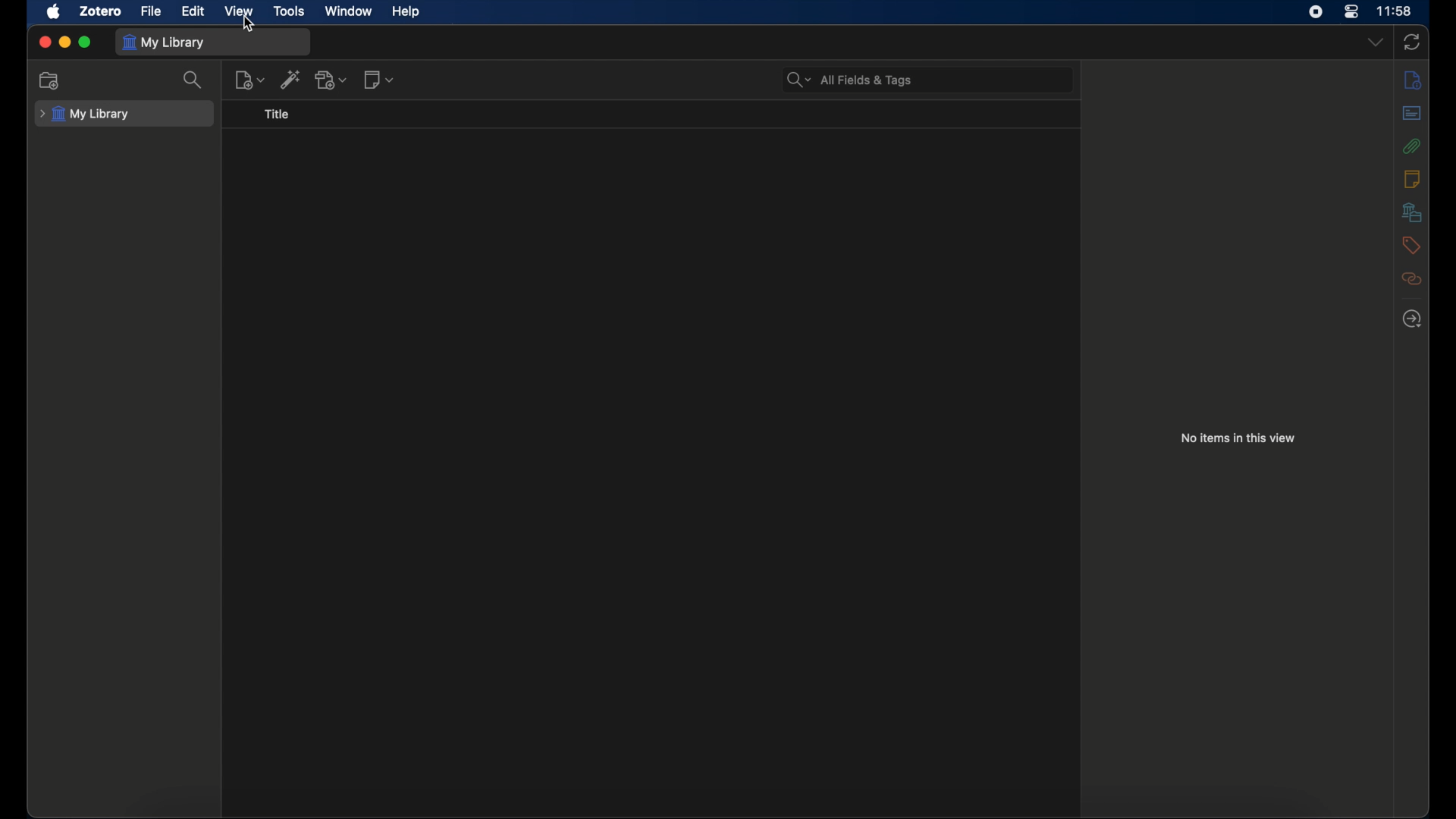  What do you see at coordinates (50, 81) in the screenshot?
I see `new collection` at bounding box center [50, 81].